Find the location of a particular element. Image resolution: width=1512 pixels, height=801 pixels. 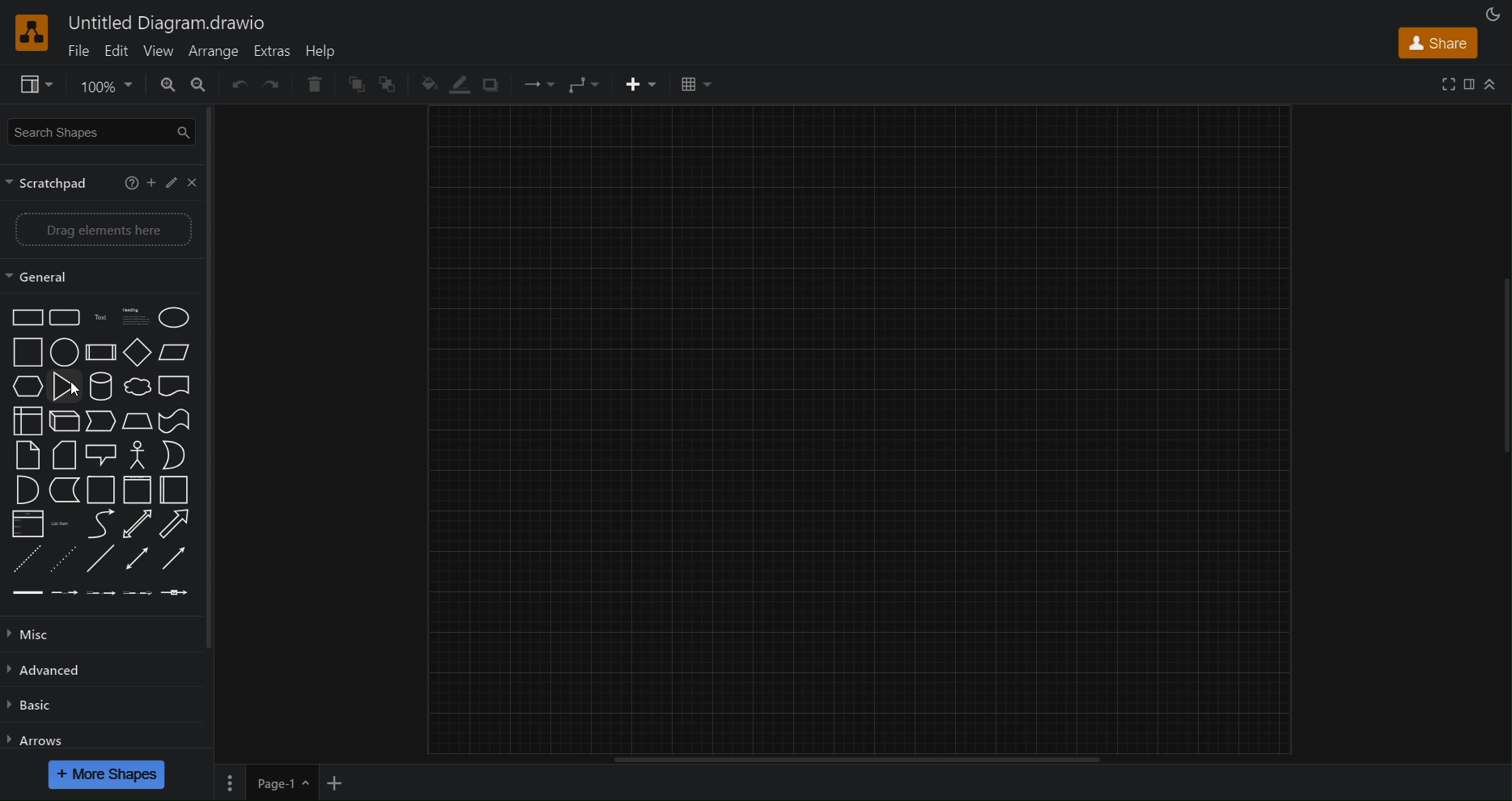

Redo is located at coordinates (272, 85).